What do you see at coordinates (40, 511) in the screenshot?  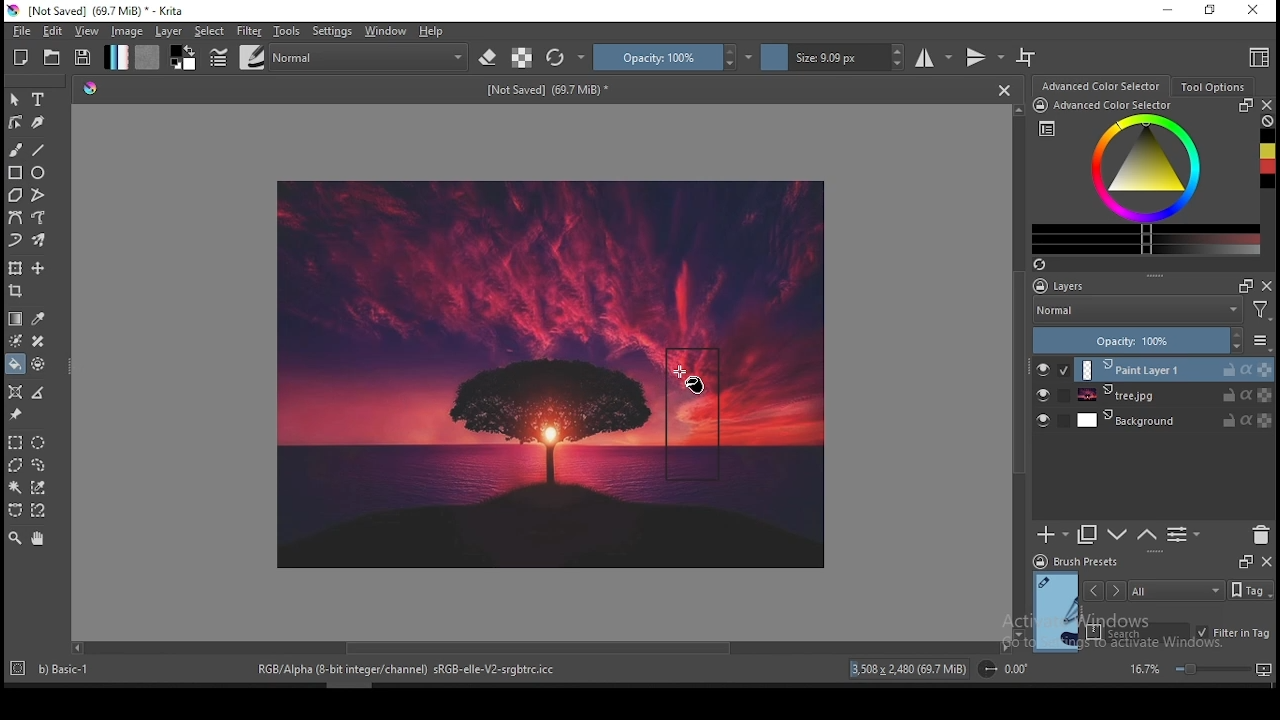 I see `magnetic curve selection tool` at bounding box center [40, 511].